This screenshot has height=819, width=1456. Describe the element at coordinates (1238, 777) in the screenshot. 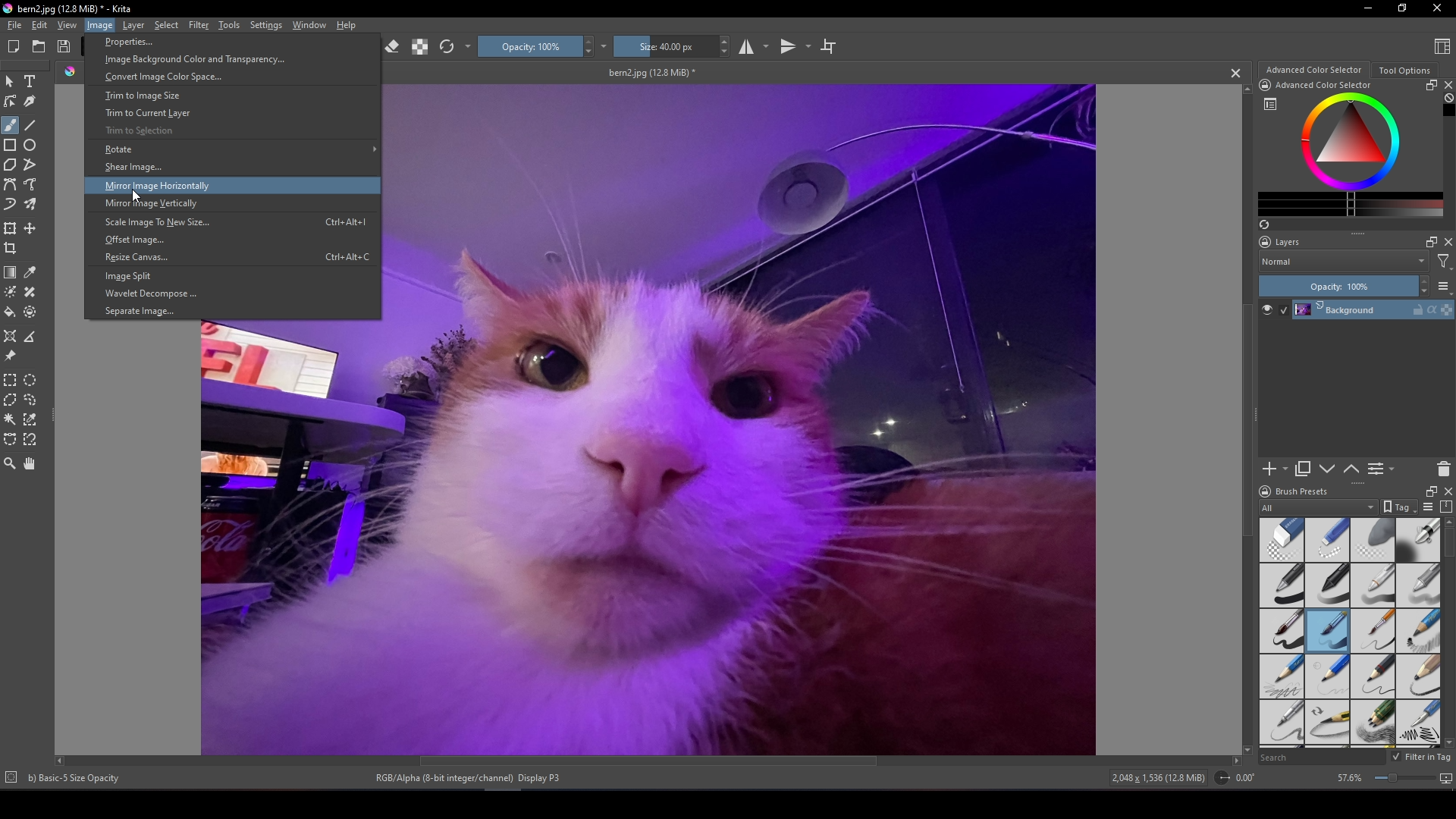

I see `Orientation` at that location.